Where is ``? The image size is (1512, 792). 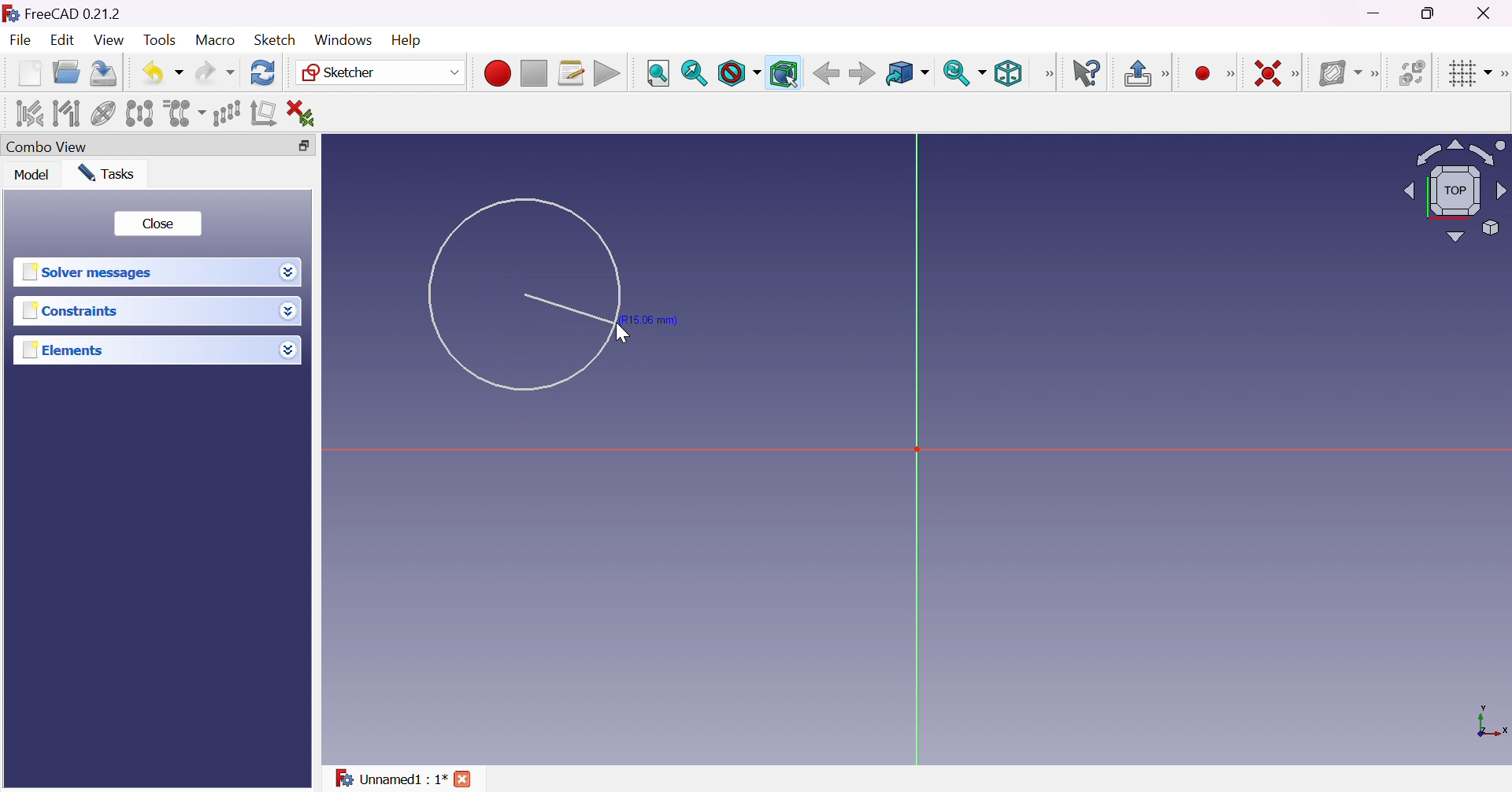
 is located at coordinates (965, 74).